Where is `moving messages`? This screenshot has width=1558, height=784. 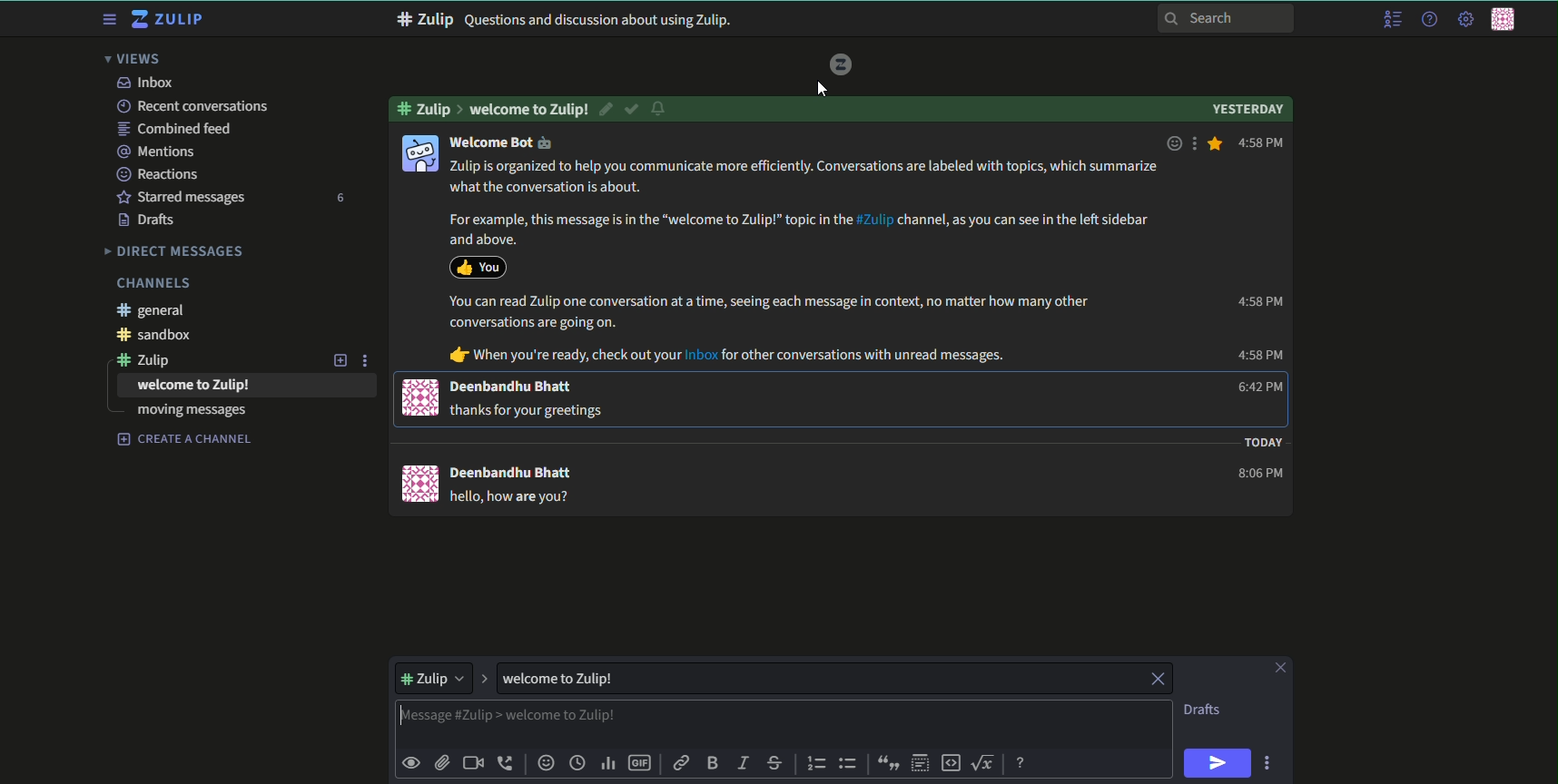
moving messages is located at coordinates (192, 412).